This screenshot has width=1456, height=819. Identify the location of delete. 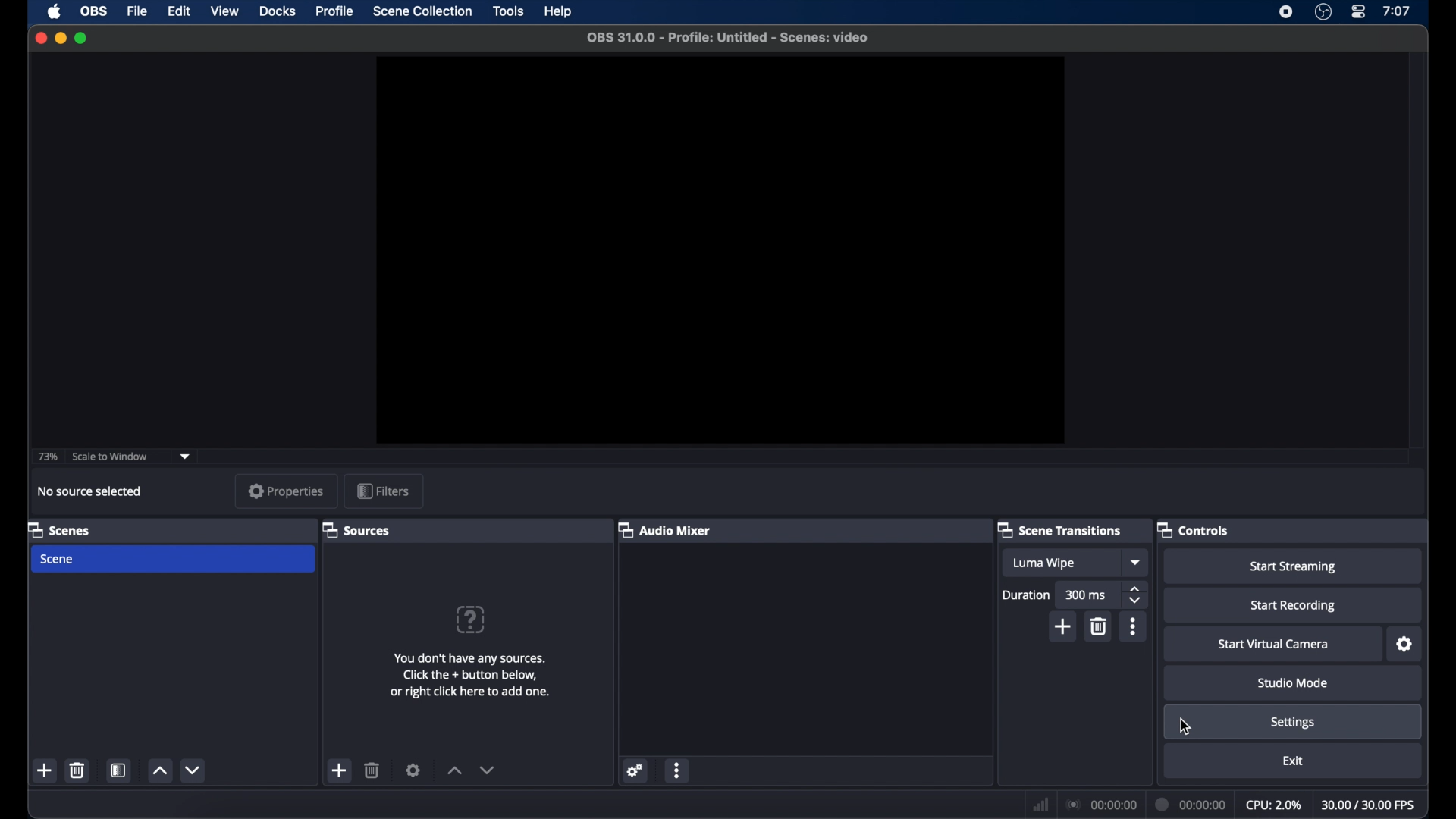
(372, 770).